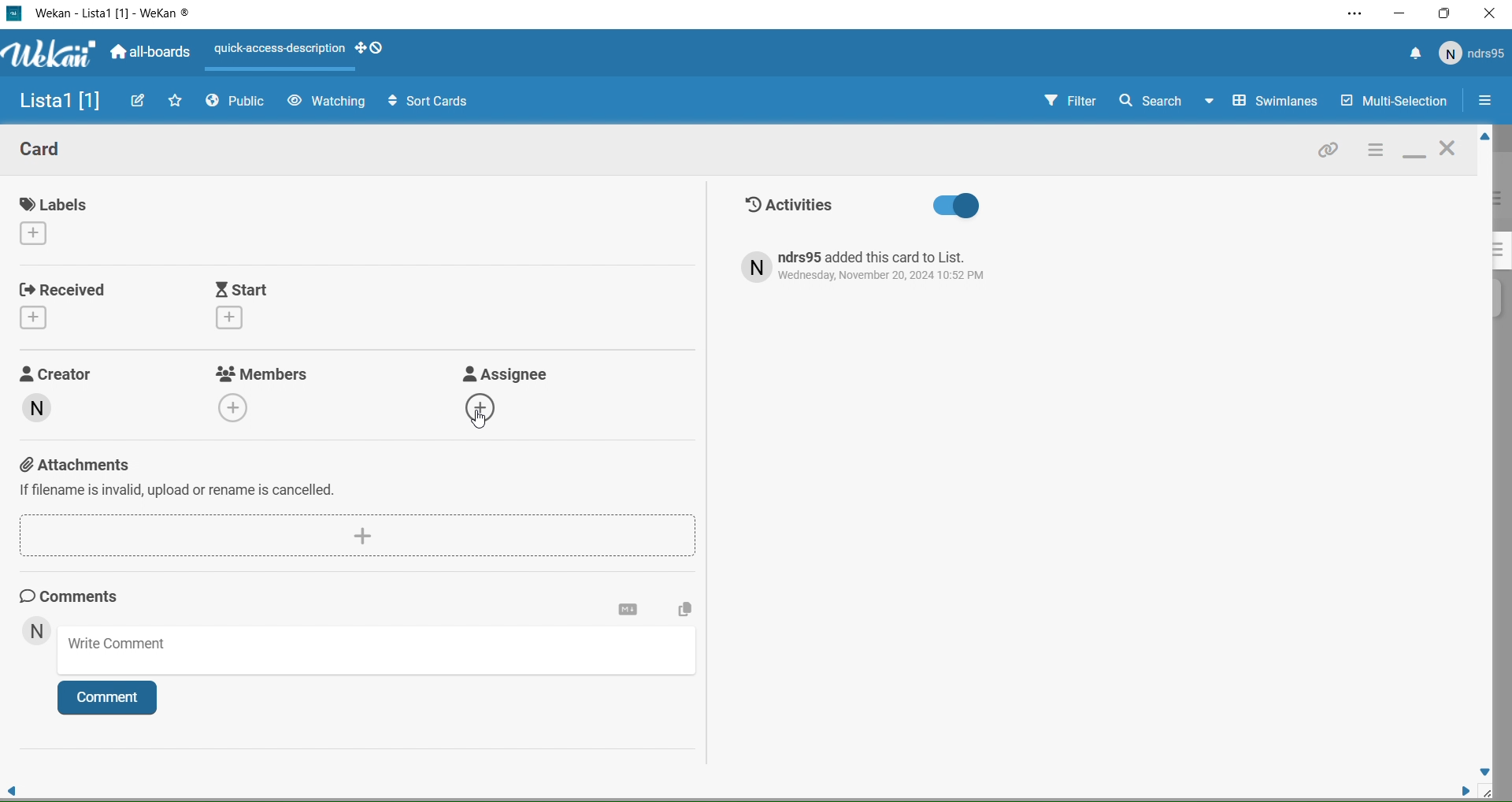 The image size is (1512, 802). I want to click on Settings and more, so click(1353, 15).